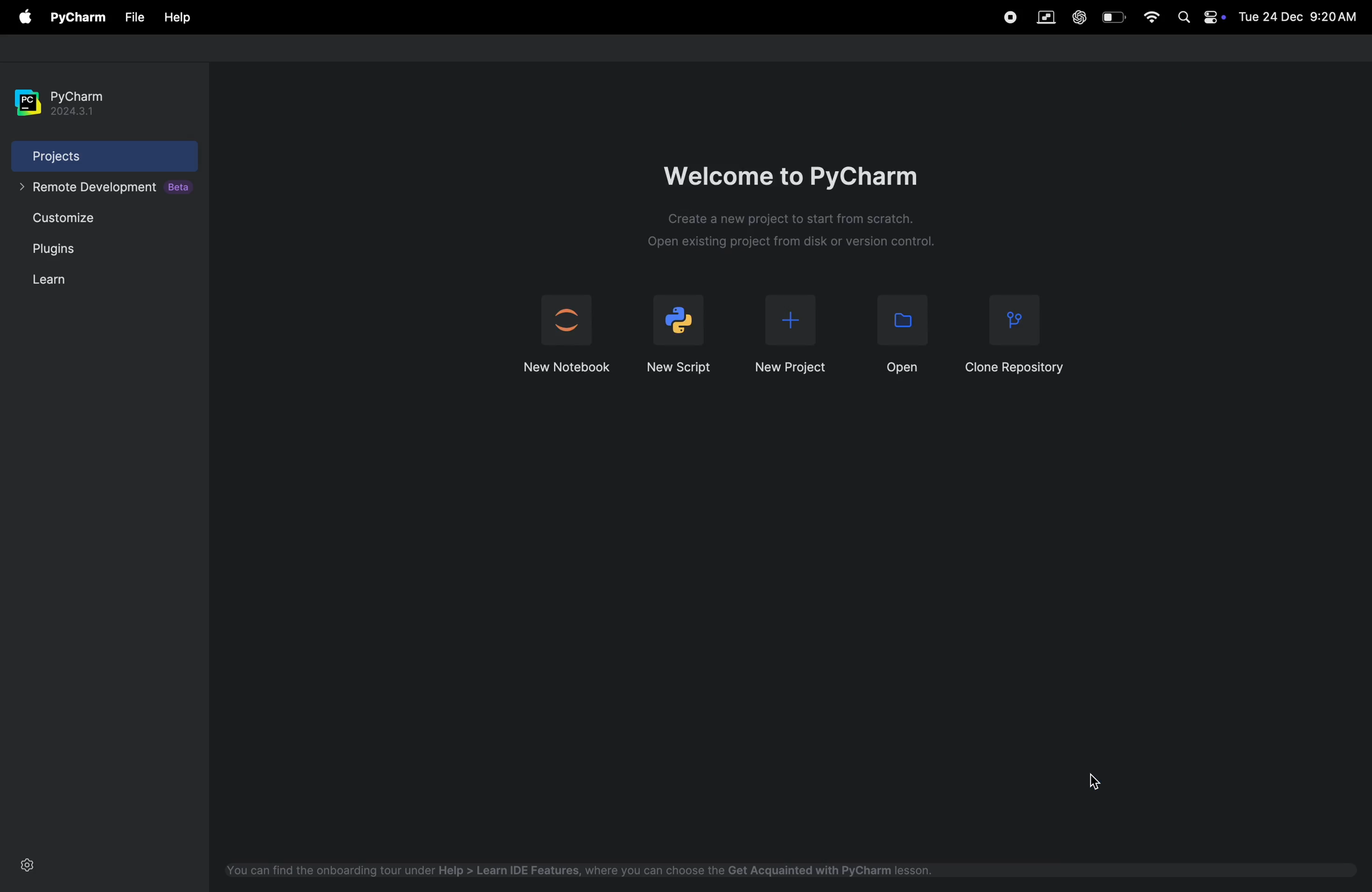 This screenshot has width=1372, height=892. Describe the element at coordinates (1017, 339) in the screenshot. I see `clone repository` at that location.